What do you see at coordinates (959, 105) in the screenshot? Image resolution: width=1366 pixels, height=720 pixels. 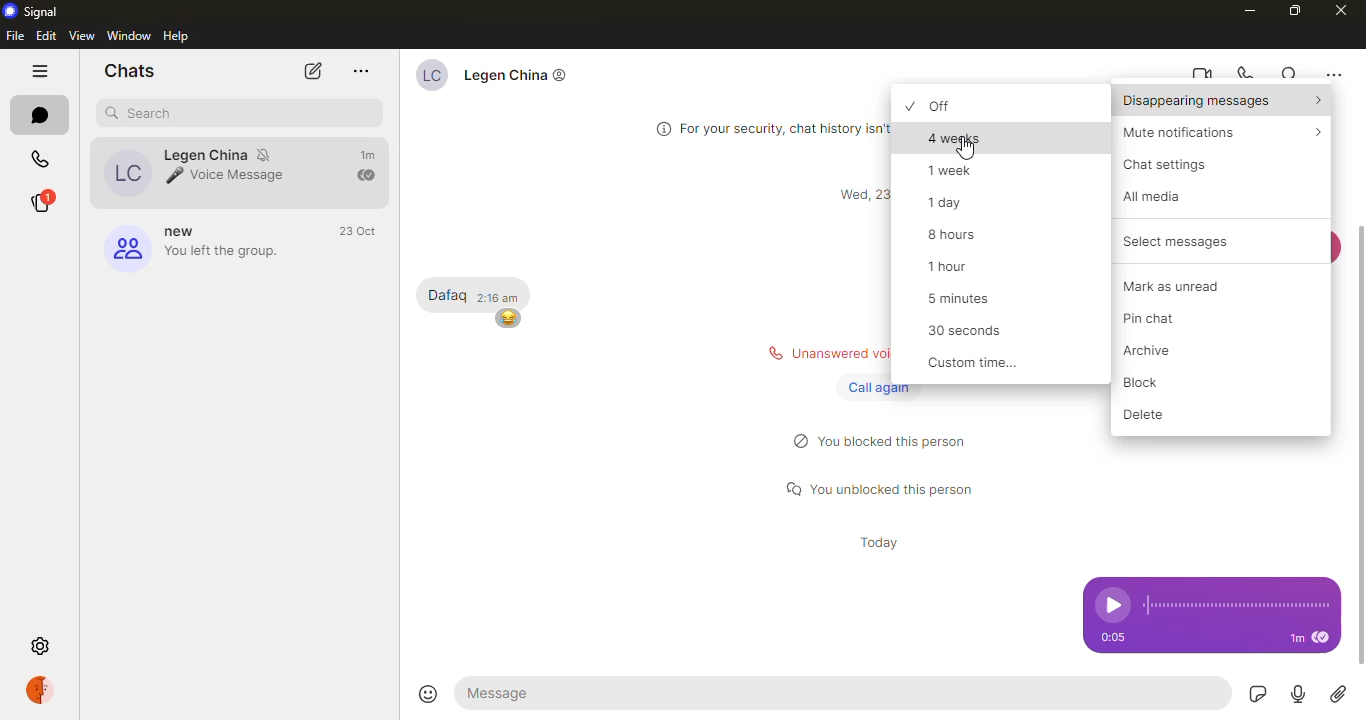 I see `off` at bounding box center [959, 105].